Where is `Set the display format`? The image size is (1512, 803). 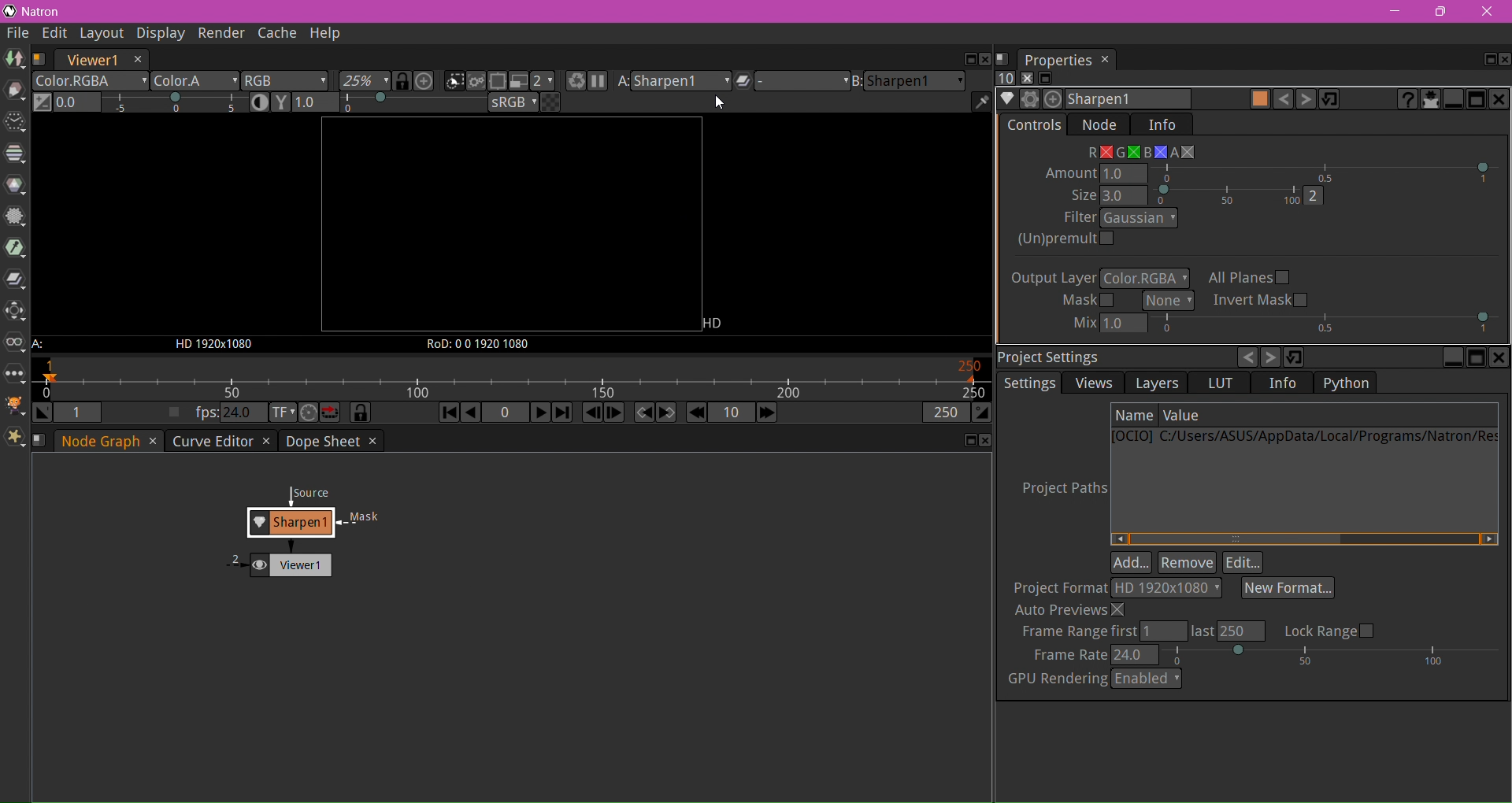 Set the display format is located at coordinates (281, 413).